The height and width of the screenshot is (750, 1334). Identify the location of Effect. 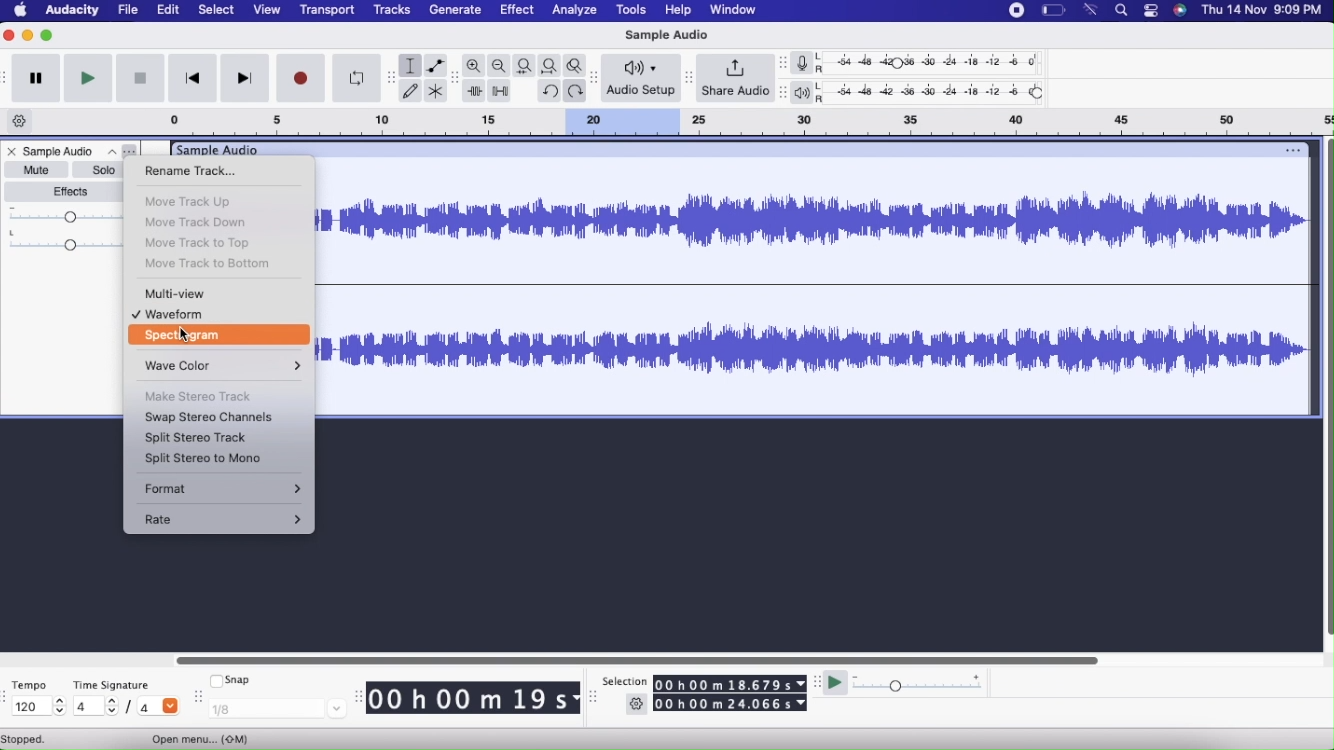
(518, 11).